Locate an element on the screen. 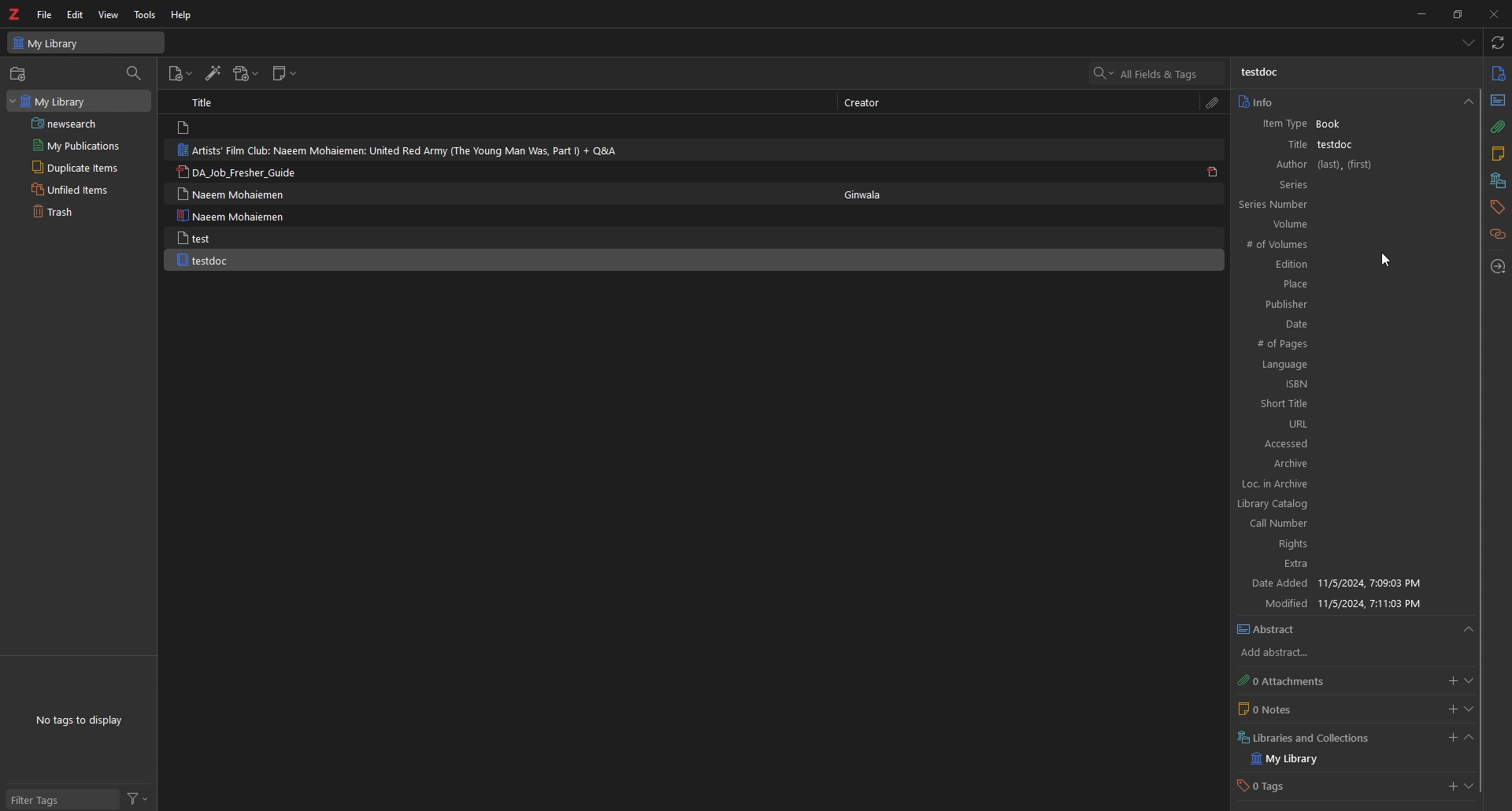 This screenshot has width=1512, height=811. newsearch is located at coordinates (80, 124).